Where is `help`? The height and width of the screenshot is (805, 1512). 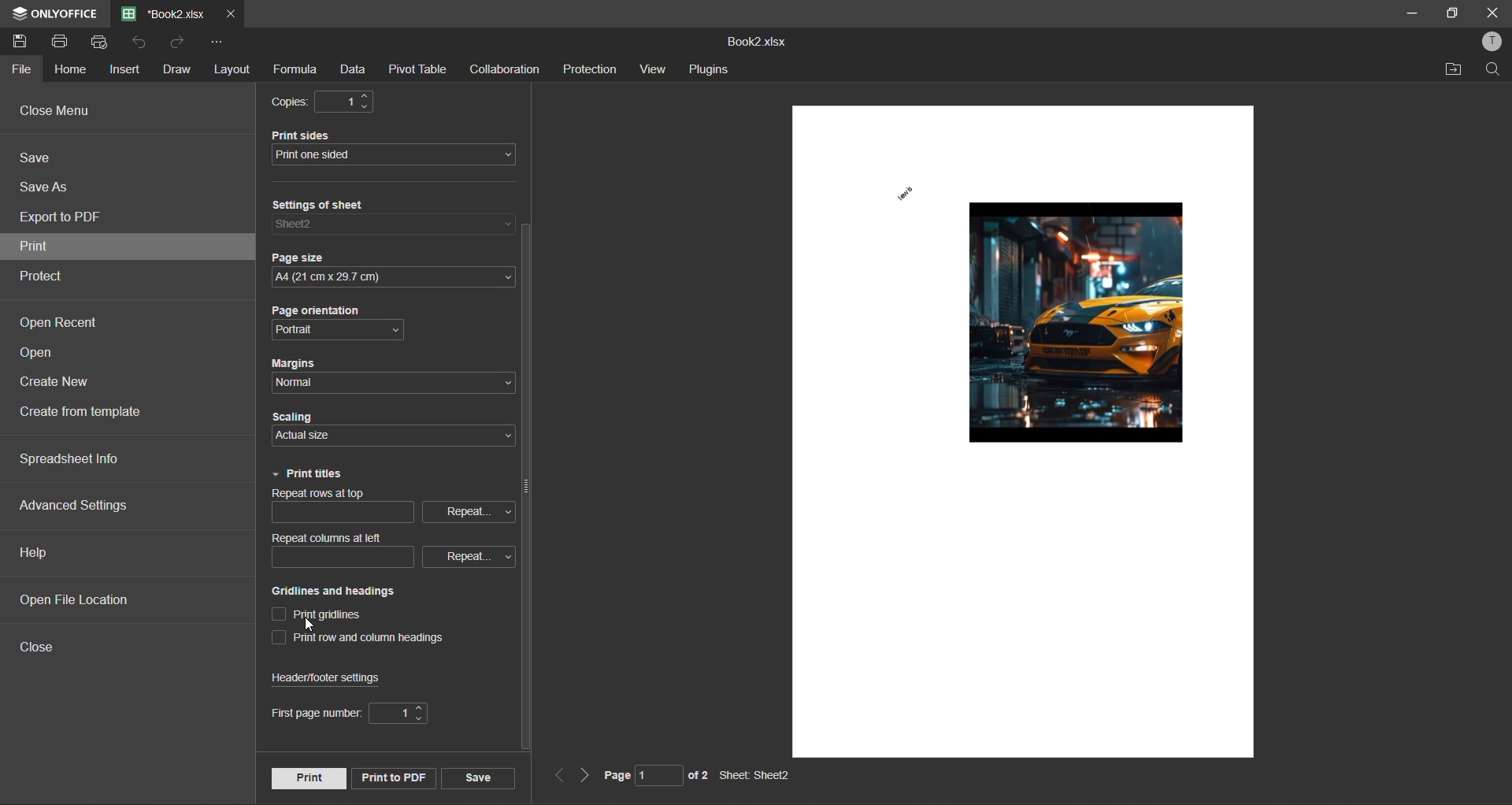
help is located at coordinates (38, 557).